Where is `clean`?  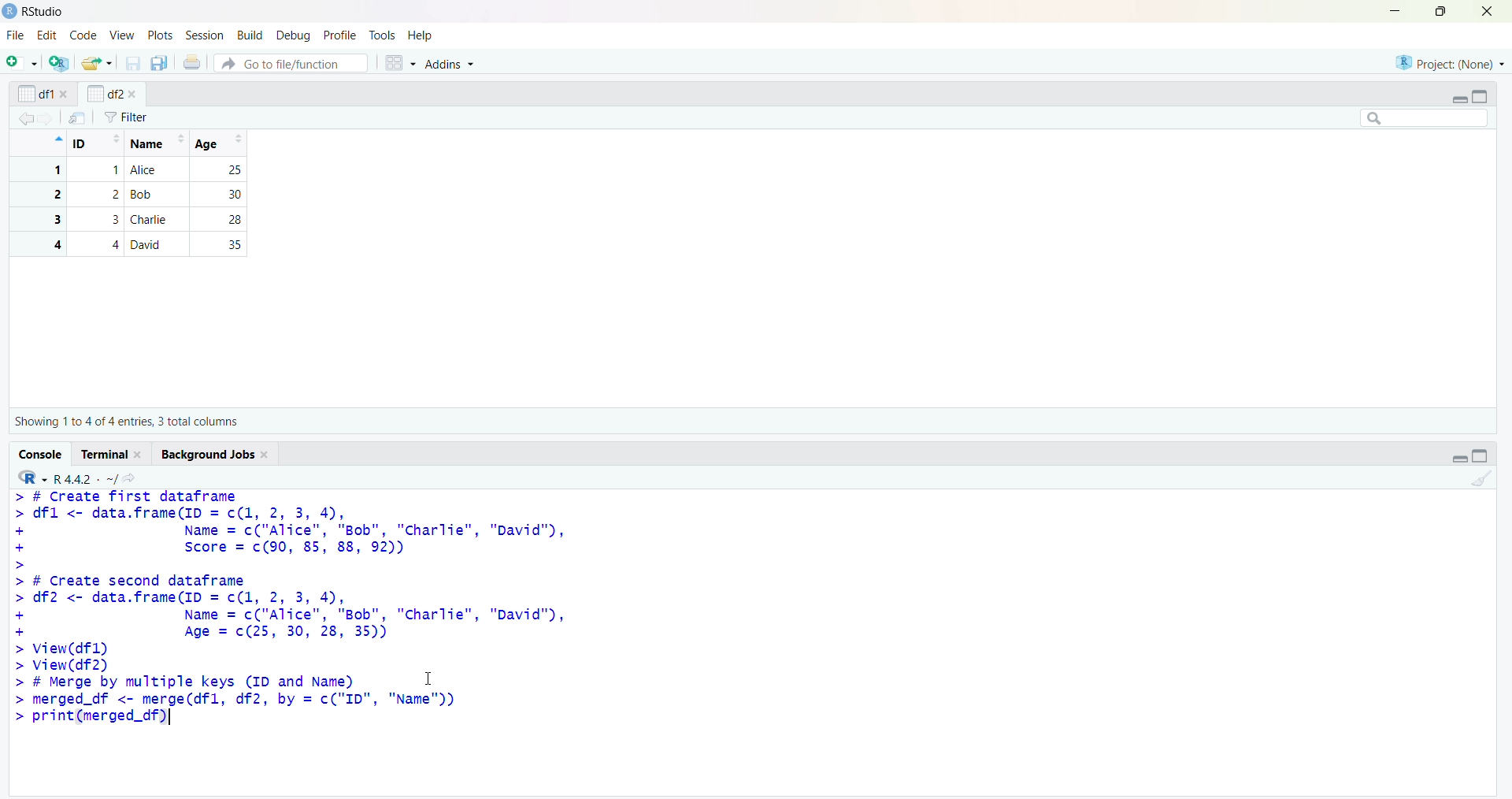 clean is located at coordinates (1483, 479).